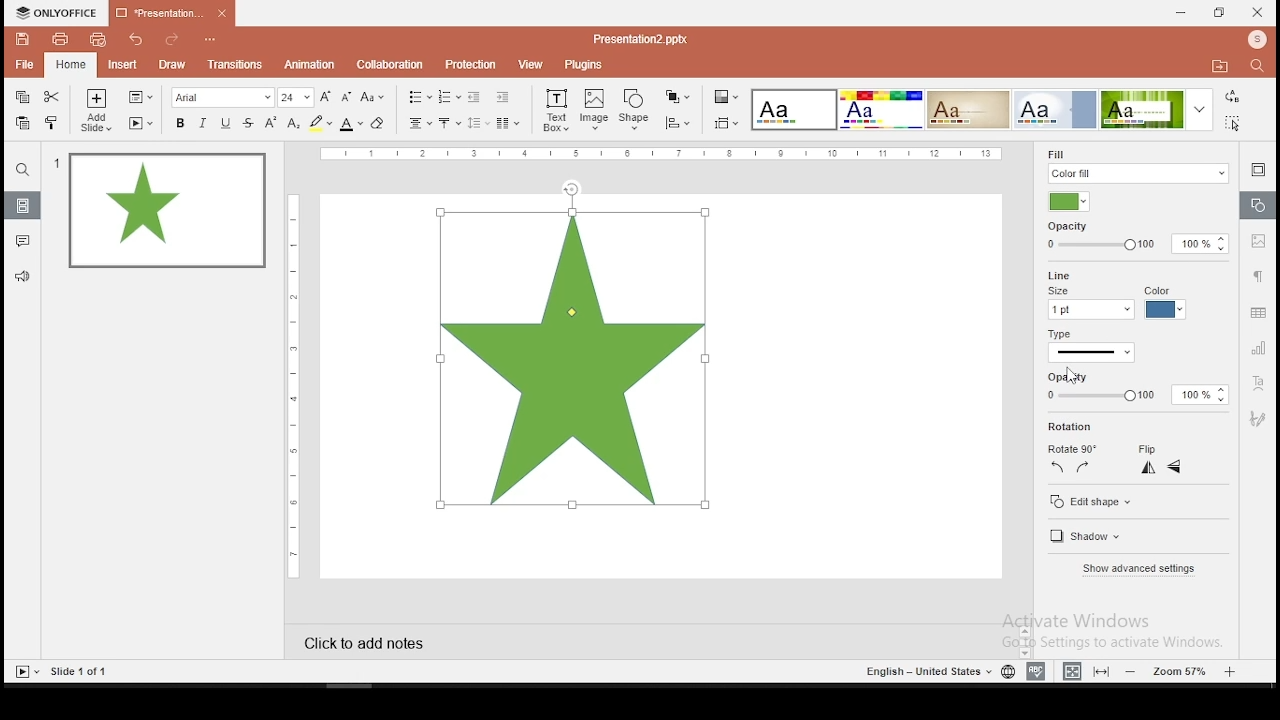  I want to click on rotate 90, so click(1070, 448).